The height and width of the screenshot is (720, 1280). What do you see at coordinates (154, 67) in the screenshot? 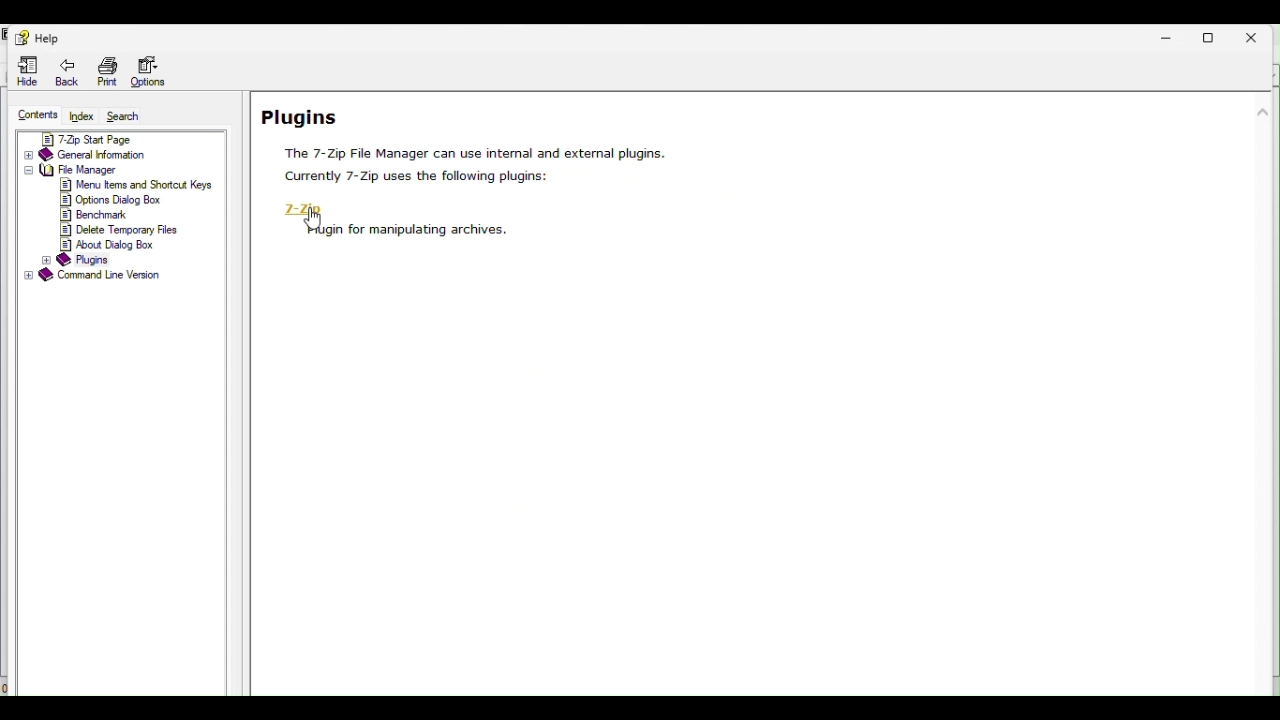
I see `Options` at bounding box center [154, 67].